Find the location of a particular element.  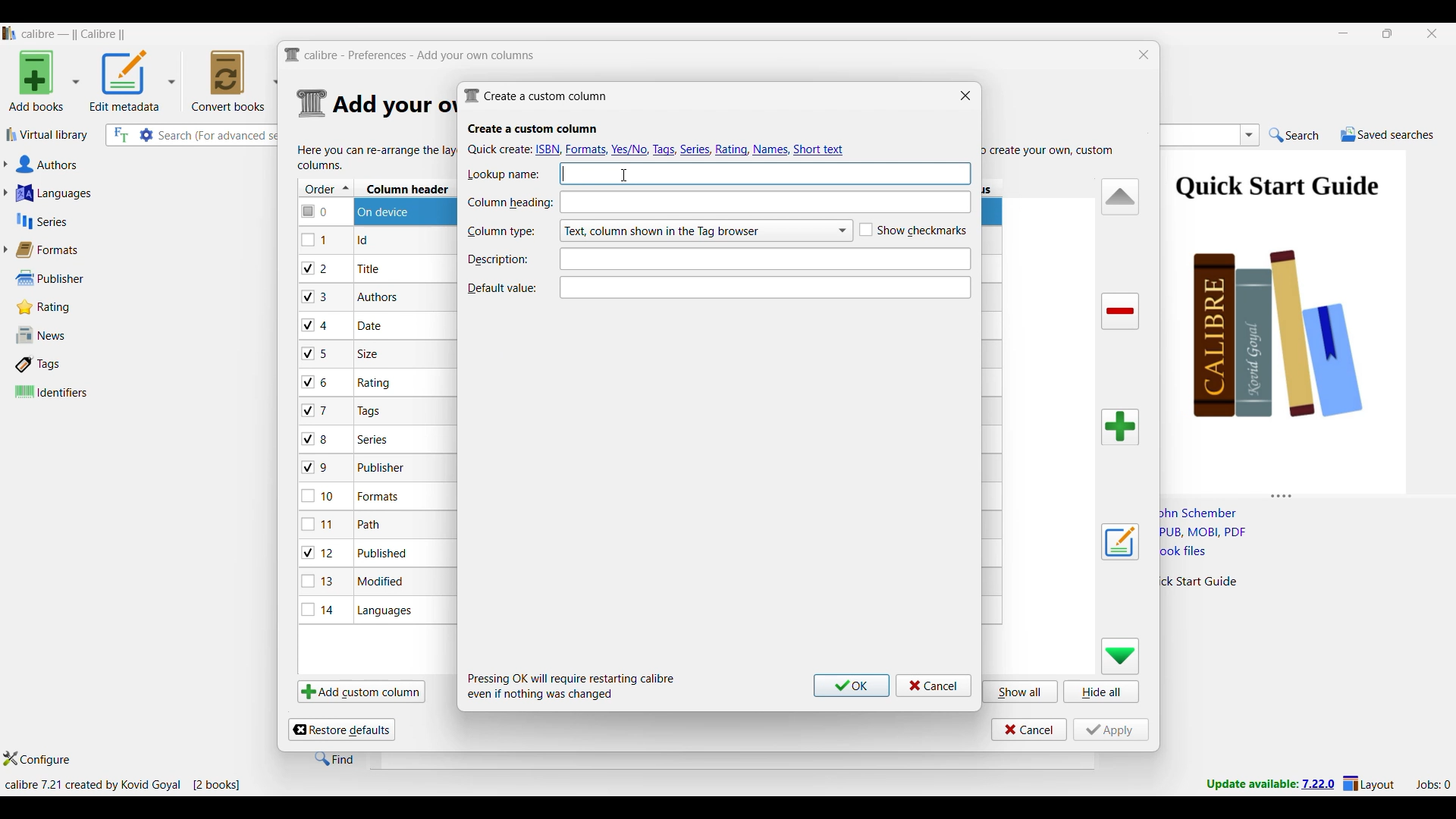

Hide all is located at coordinates (1101, 692).